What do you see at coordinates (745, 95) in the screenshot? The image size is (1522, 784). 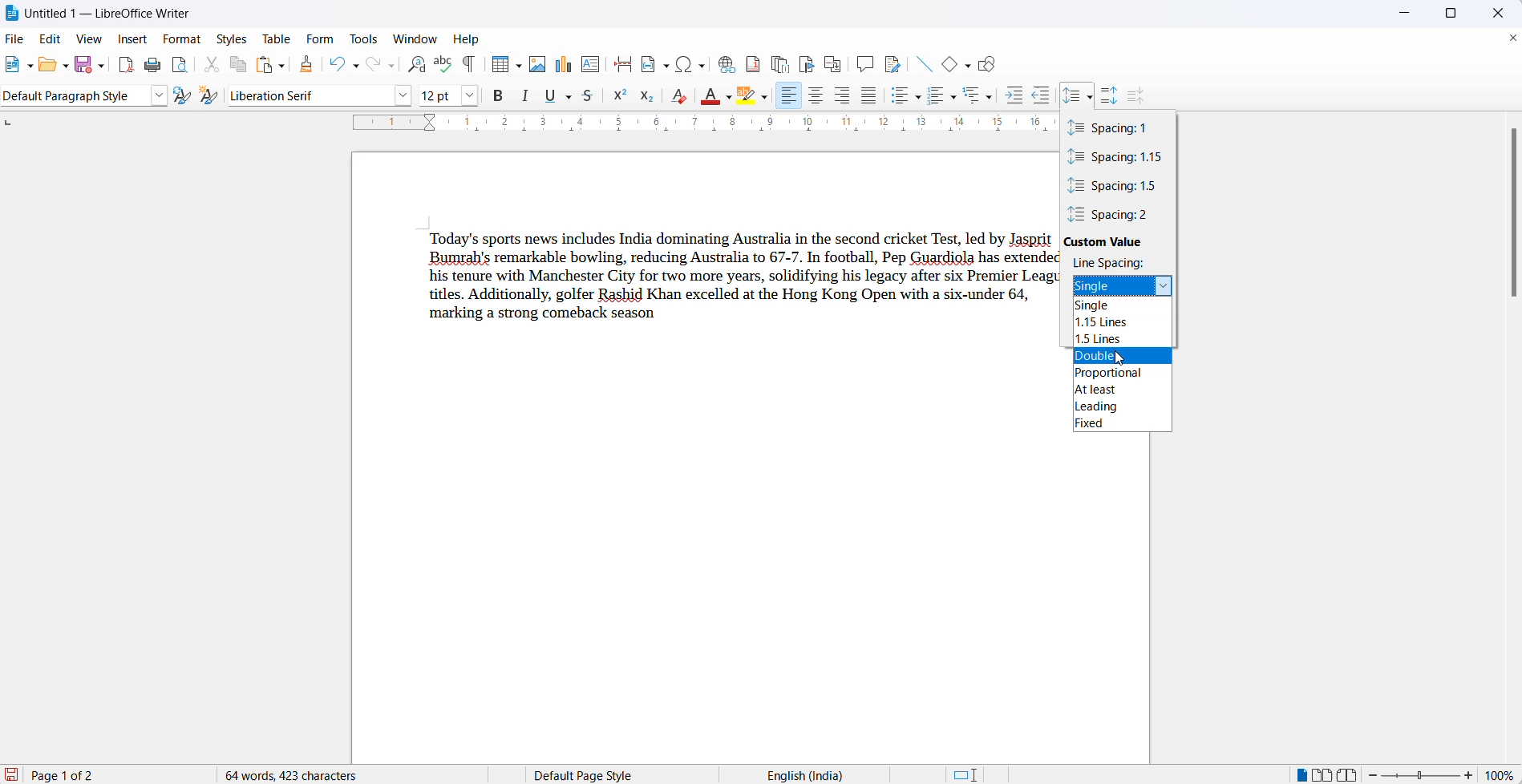 I see `character highlight` at bounding box center [745, 95].